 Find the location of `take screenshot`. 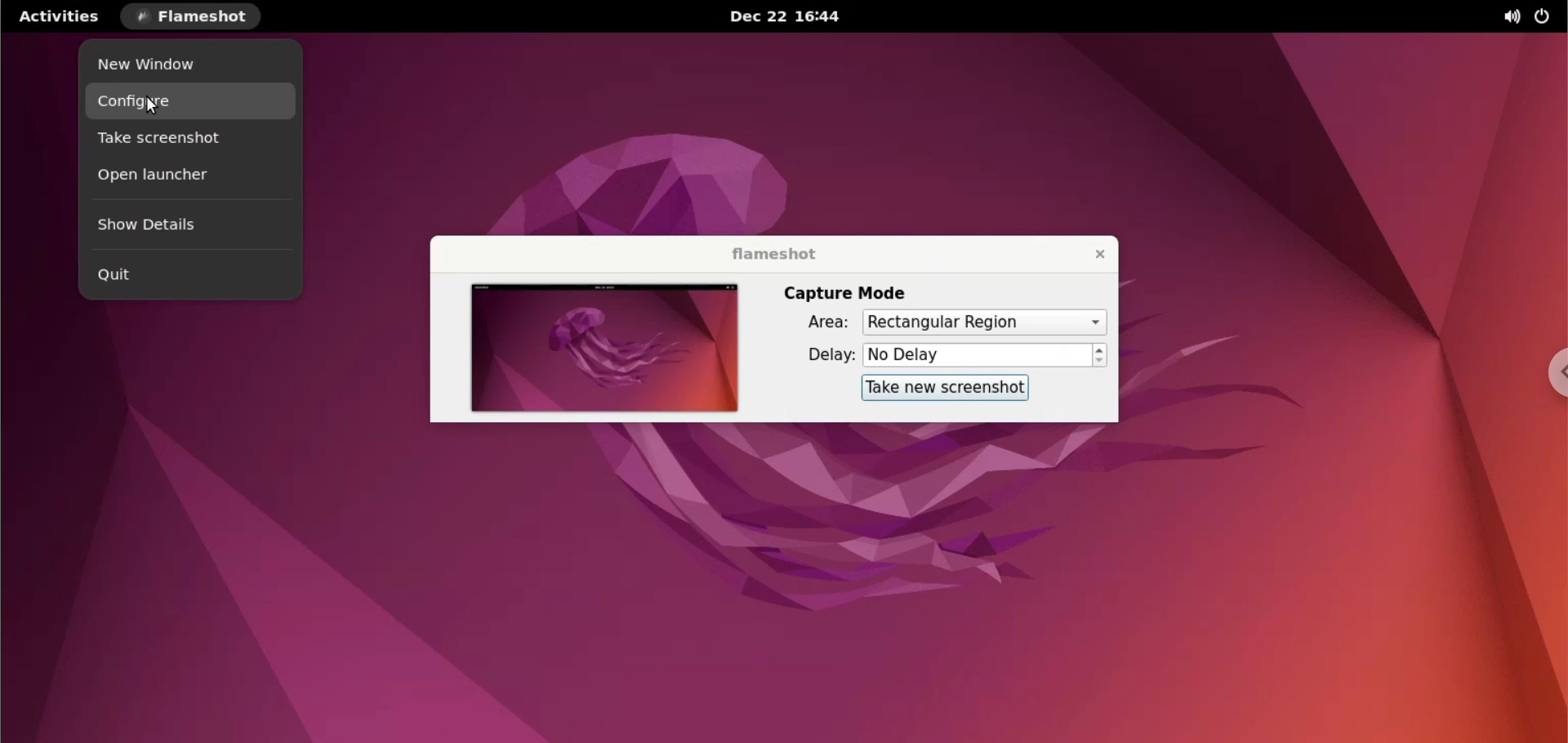

take screenshot is located at coordinates (189, 142).